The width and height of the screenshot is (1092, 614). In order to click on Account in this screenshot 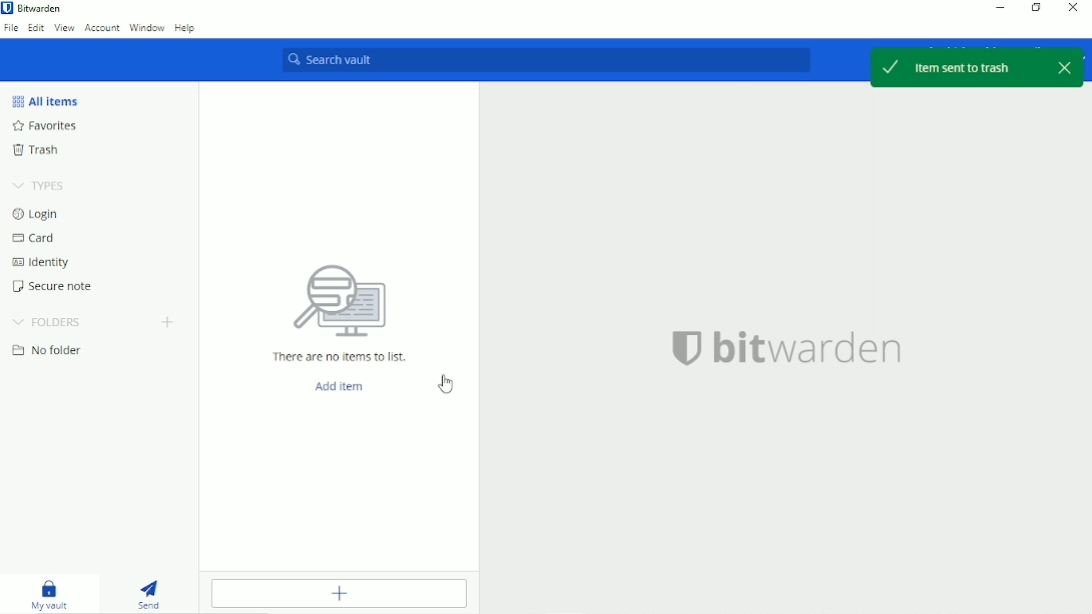, I will do `click(102, 28)`.